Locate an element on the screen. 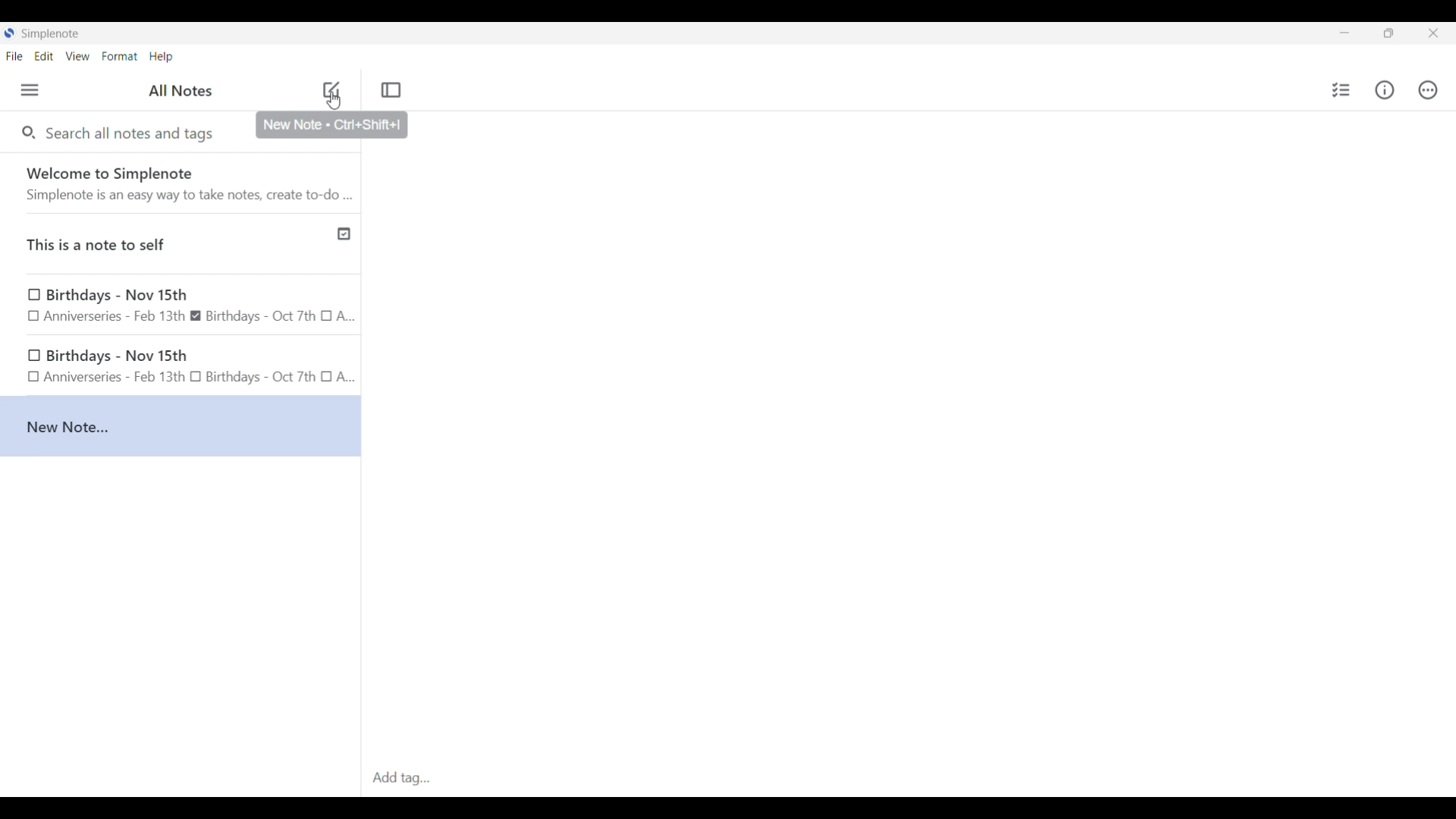 This screenshot has width=1456, height=819. Published note indicated by check icon is located at coordinates (182, 244).